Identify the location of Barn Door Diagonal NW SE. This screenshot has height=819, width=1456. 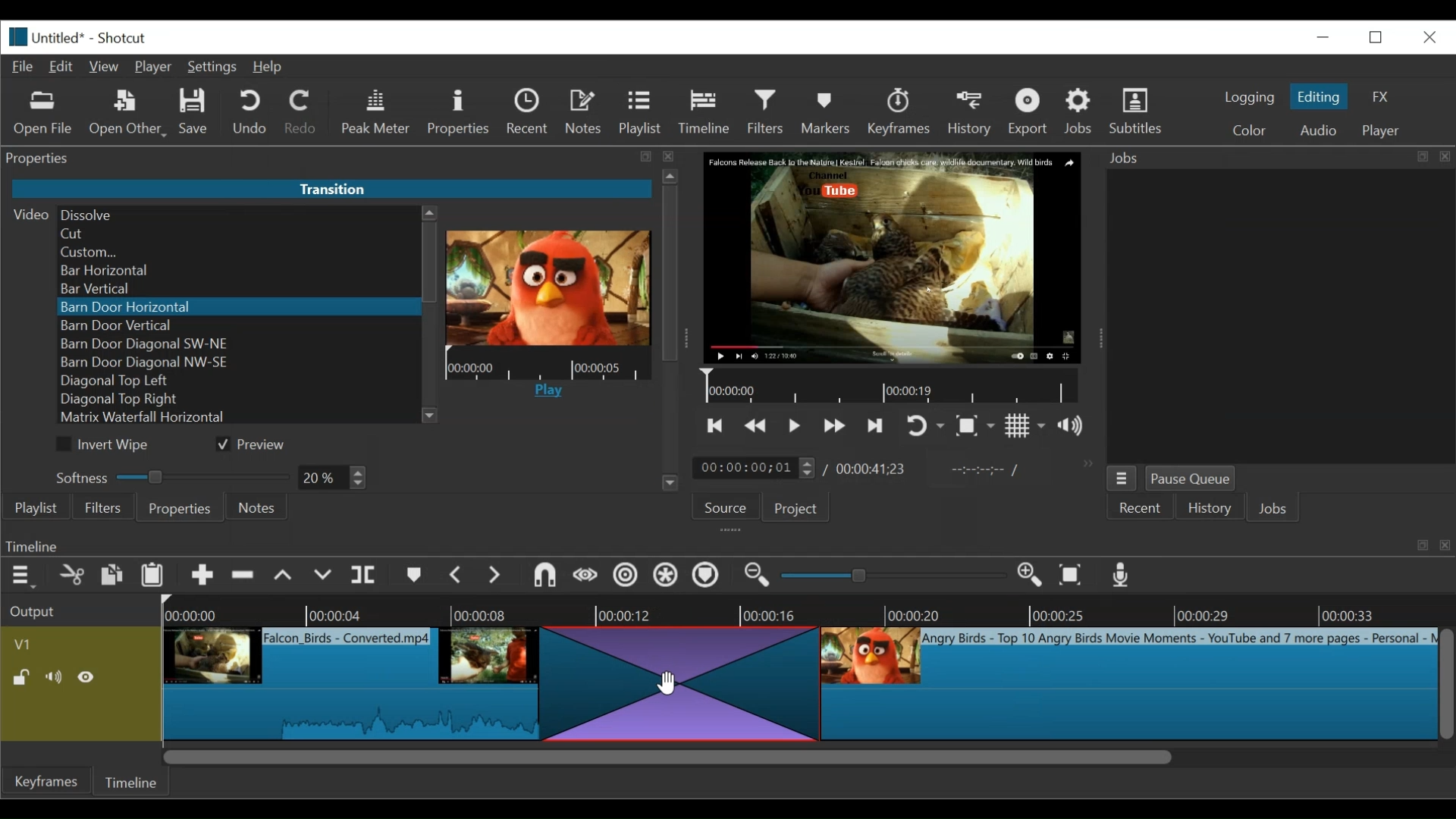
(236, 362).